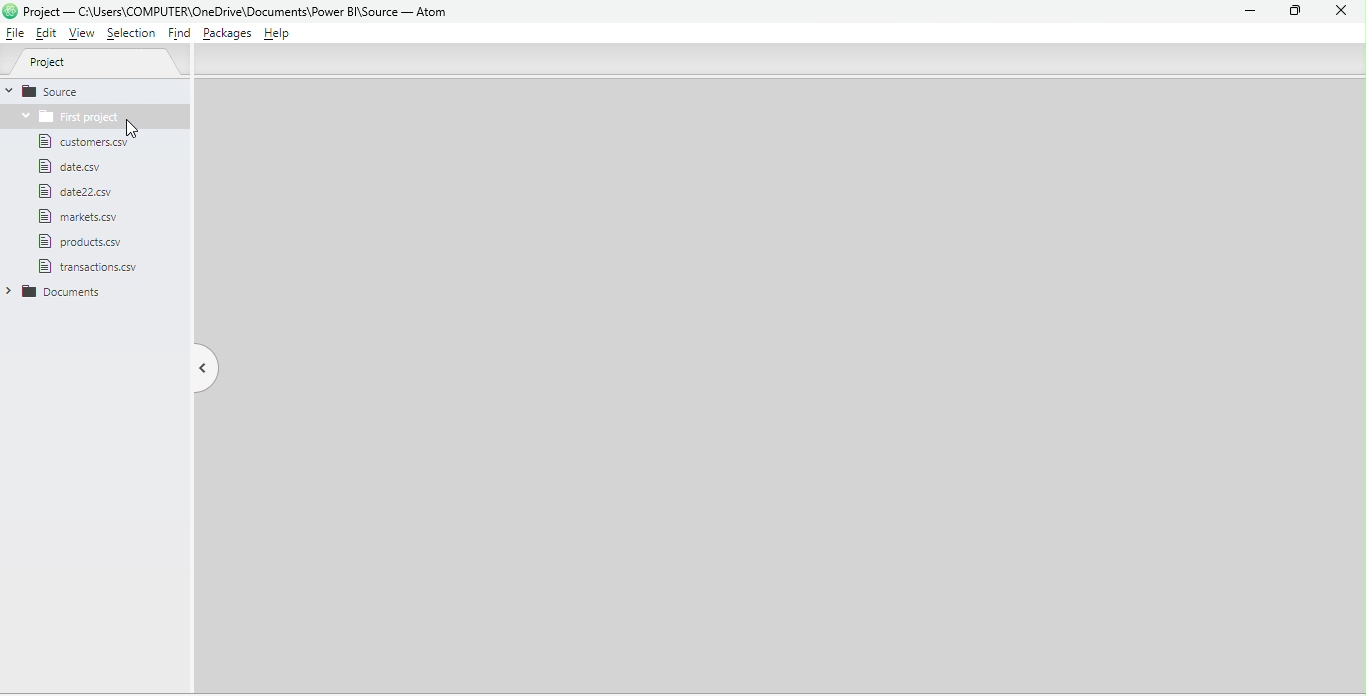 The height and width of the screenshot is (696, 1366). What do you see at coordinates (83, 34) in the screenshot?
I see `View` at bounding box center [83, 34].